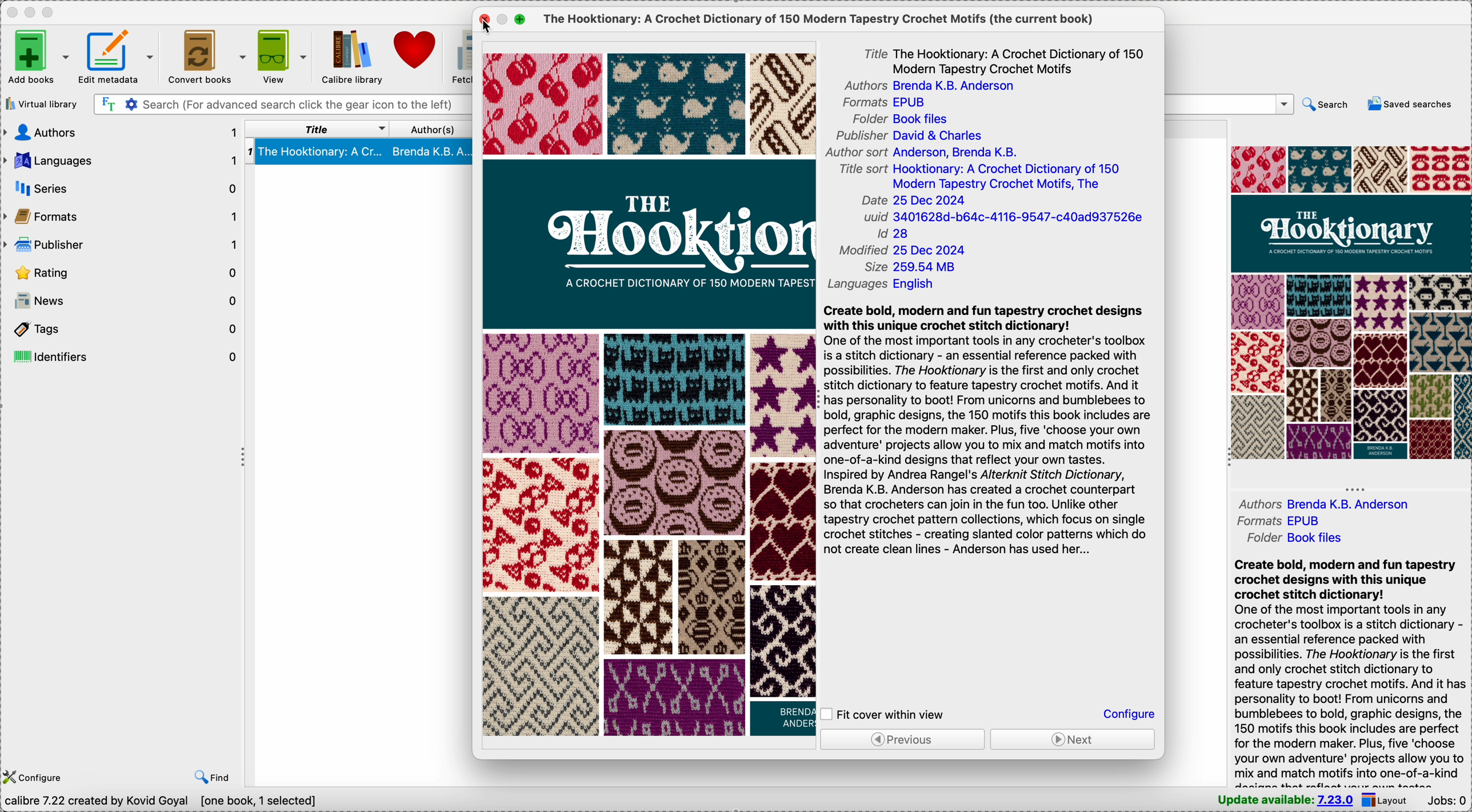  What do you see at coordinates (914, 266) in the screenshot?
I see `size` at bounding box center [914, 266].